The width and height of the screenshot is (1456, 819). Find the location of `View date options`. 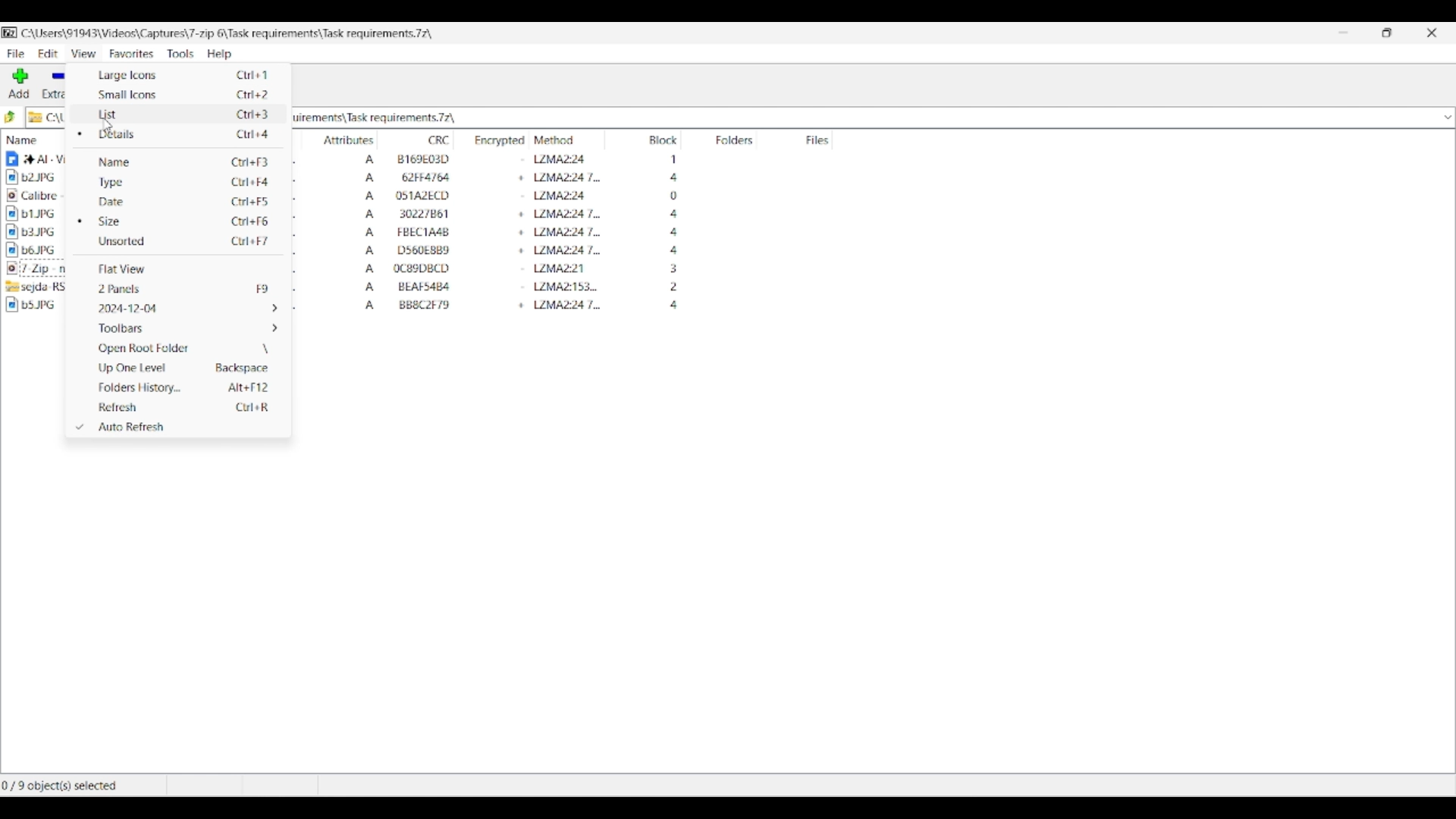

View date options is located at coordinates (184, 308).